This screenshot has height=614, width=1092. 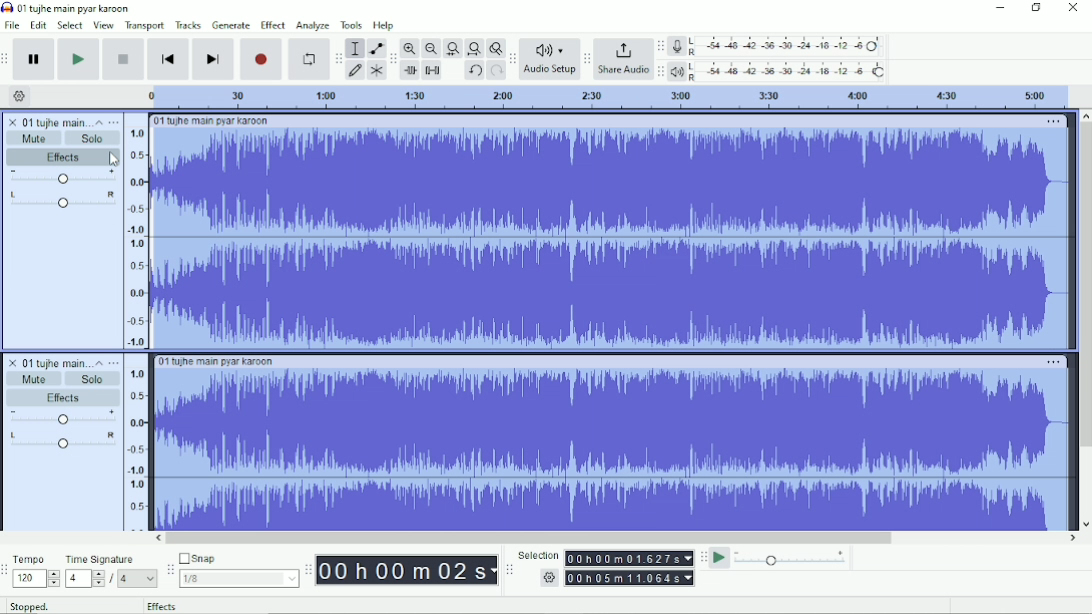 What do you see at coordinates (95, 363) in the screenshot?
I see `Collapse` at bounding box center [95, 363].